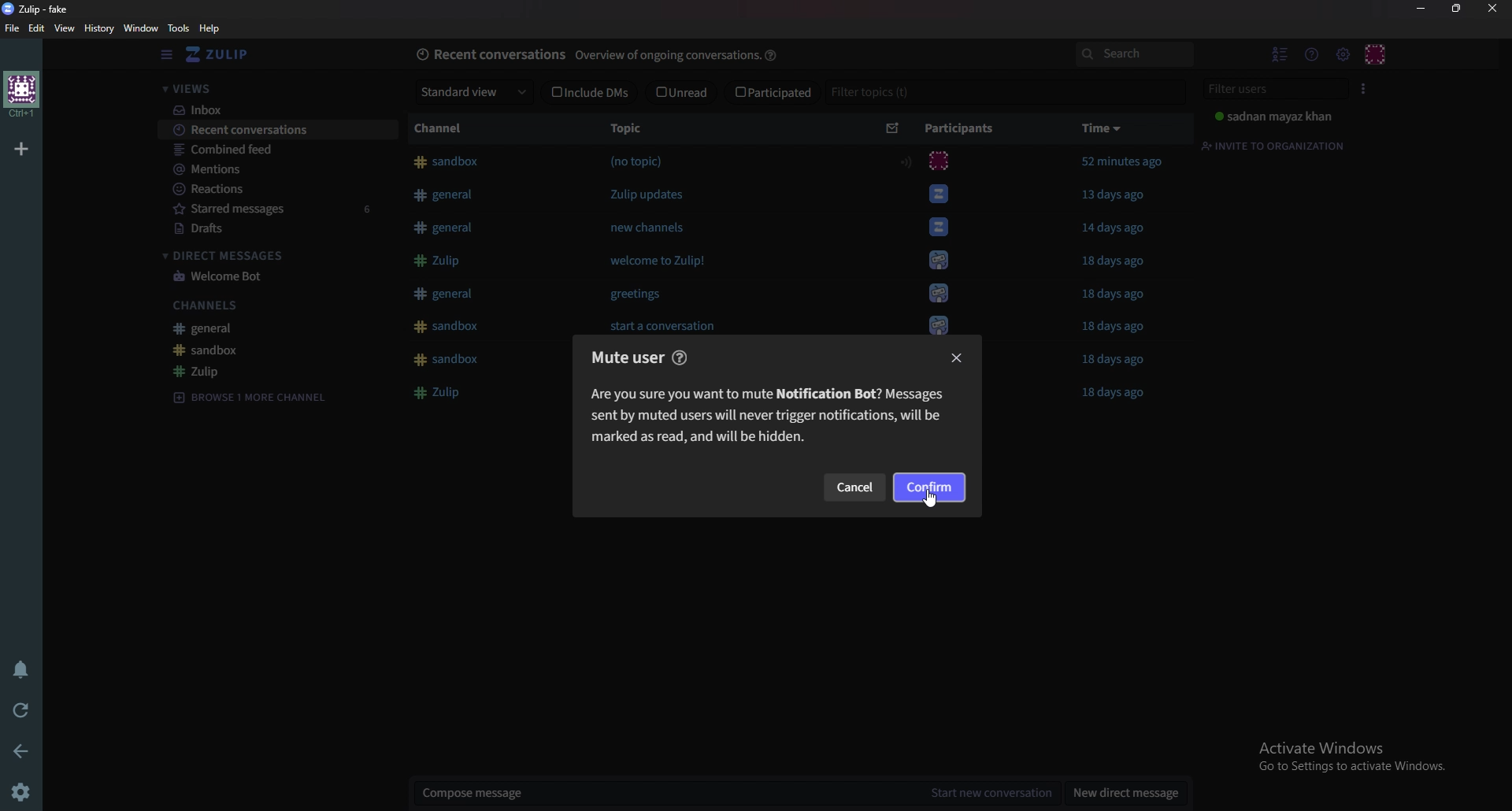 The image size is (1512, 811). I want to click on Topic, so click(629, 127).